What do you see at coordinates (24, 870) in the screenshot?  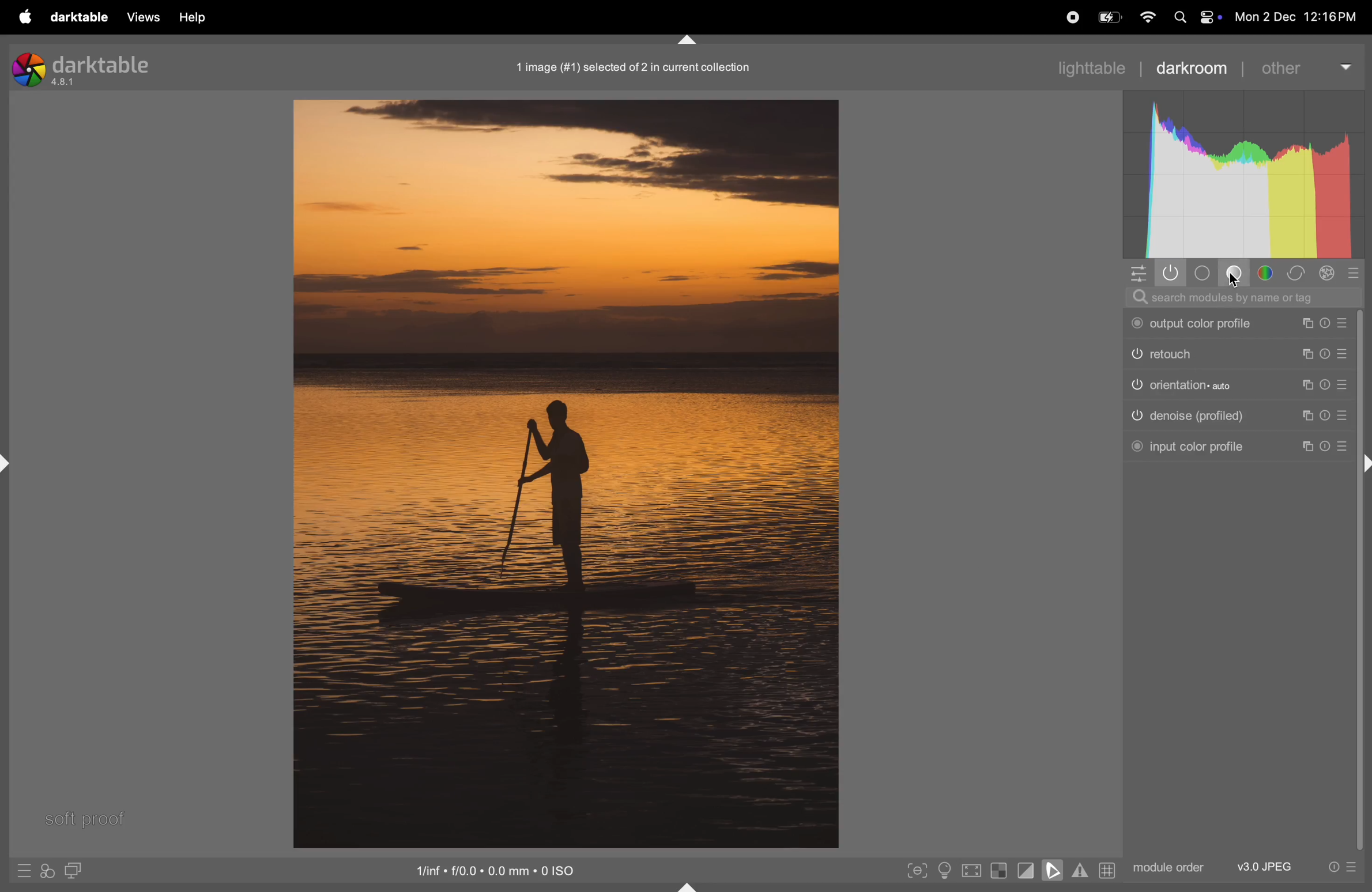 I see `quick acess to presets` at bounding box center [24, 870].